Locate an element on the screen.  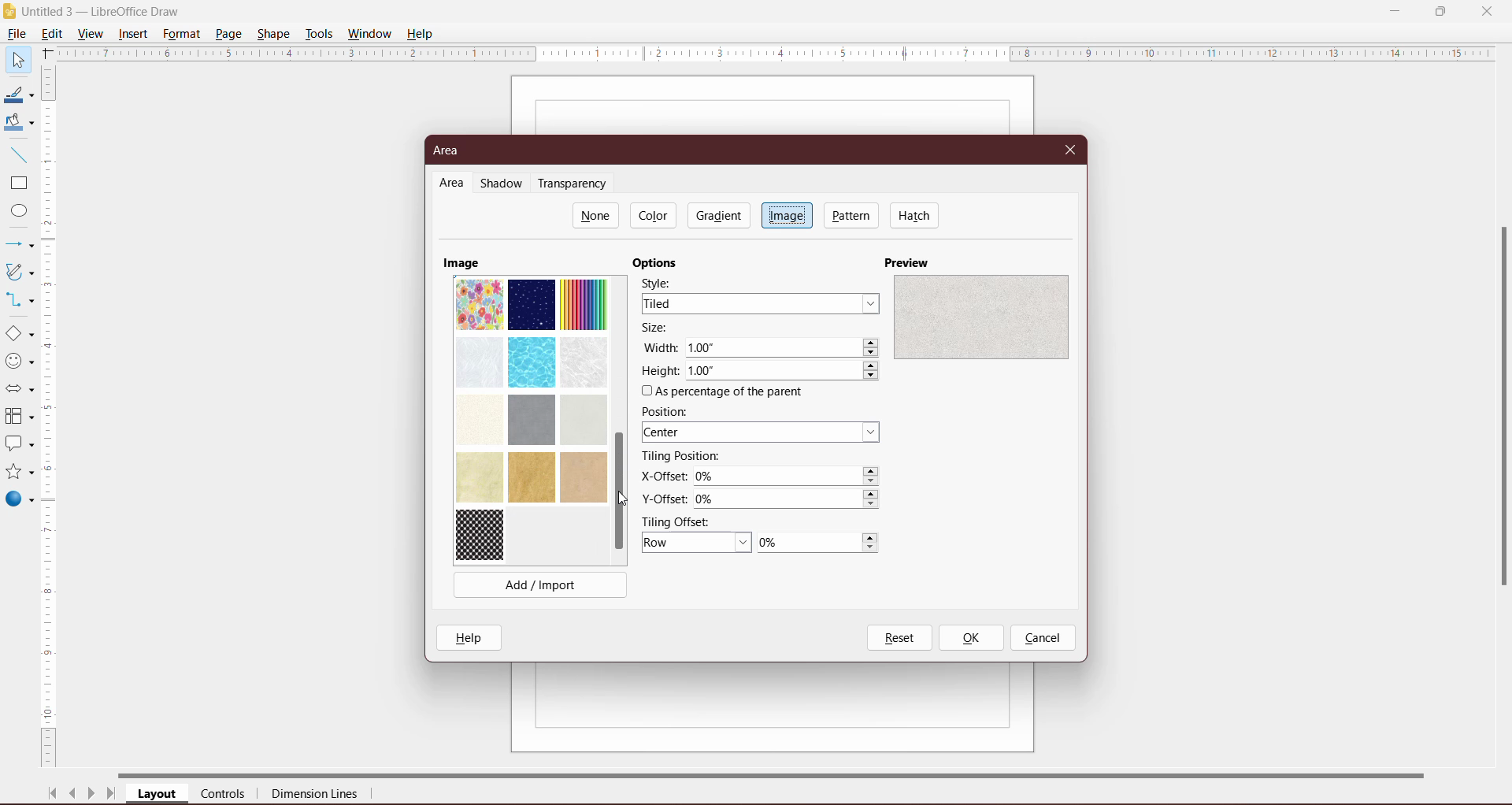
Horizontal Scroll Bar is located at coordinates (788, 773).